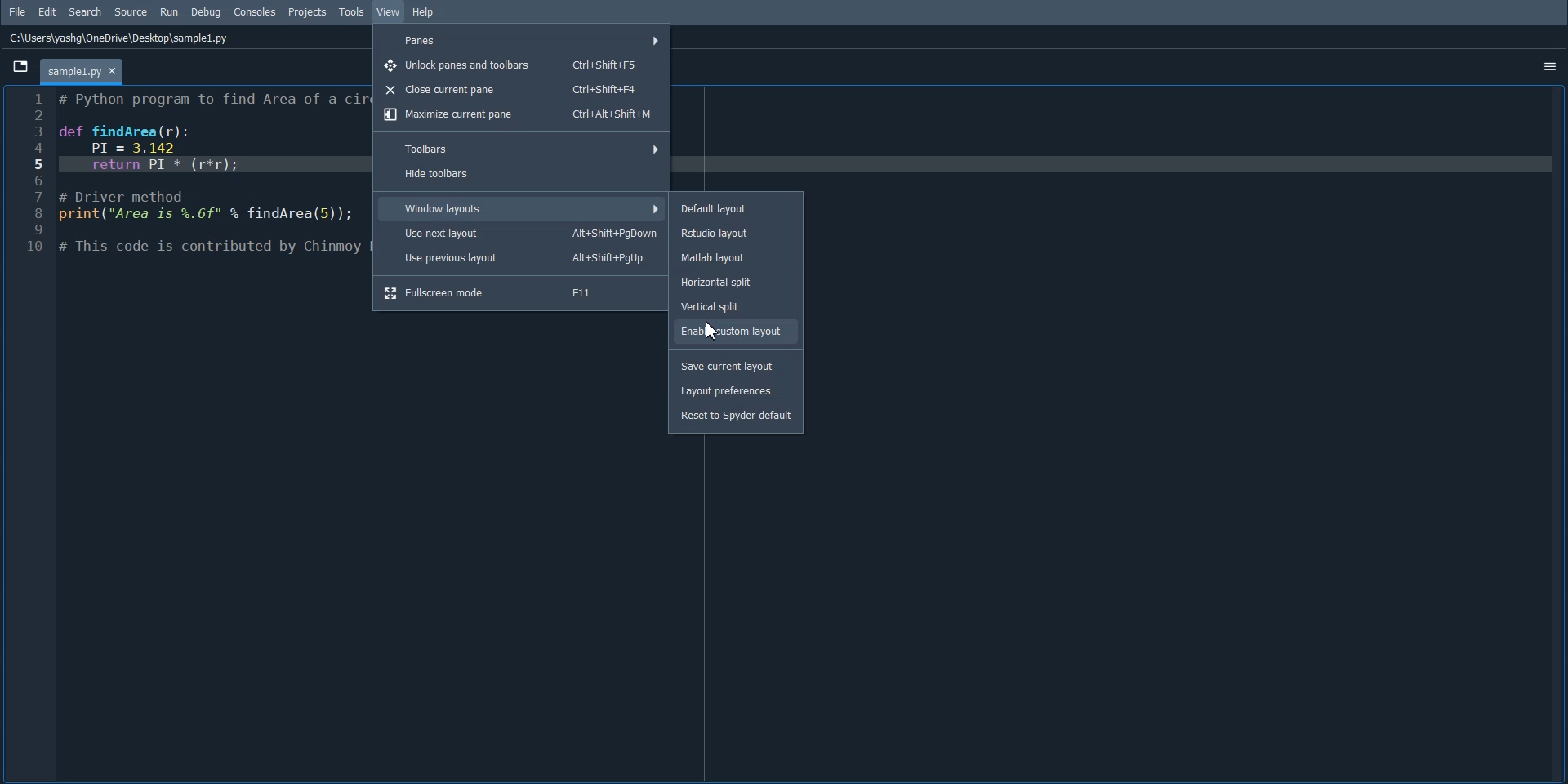 Image resolution: width=1568 pixels, height=784 pixels. What do you see at coordinates (519, 148) in the screenshot?
I see `Toolbars` at bounding box center [519, 148].